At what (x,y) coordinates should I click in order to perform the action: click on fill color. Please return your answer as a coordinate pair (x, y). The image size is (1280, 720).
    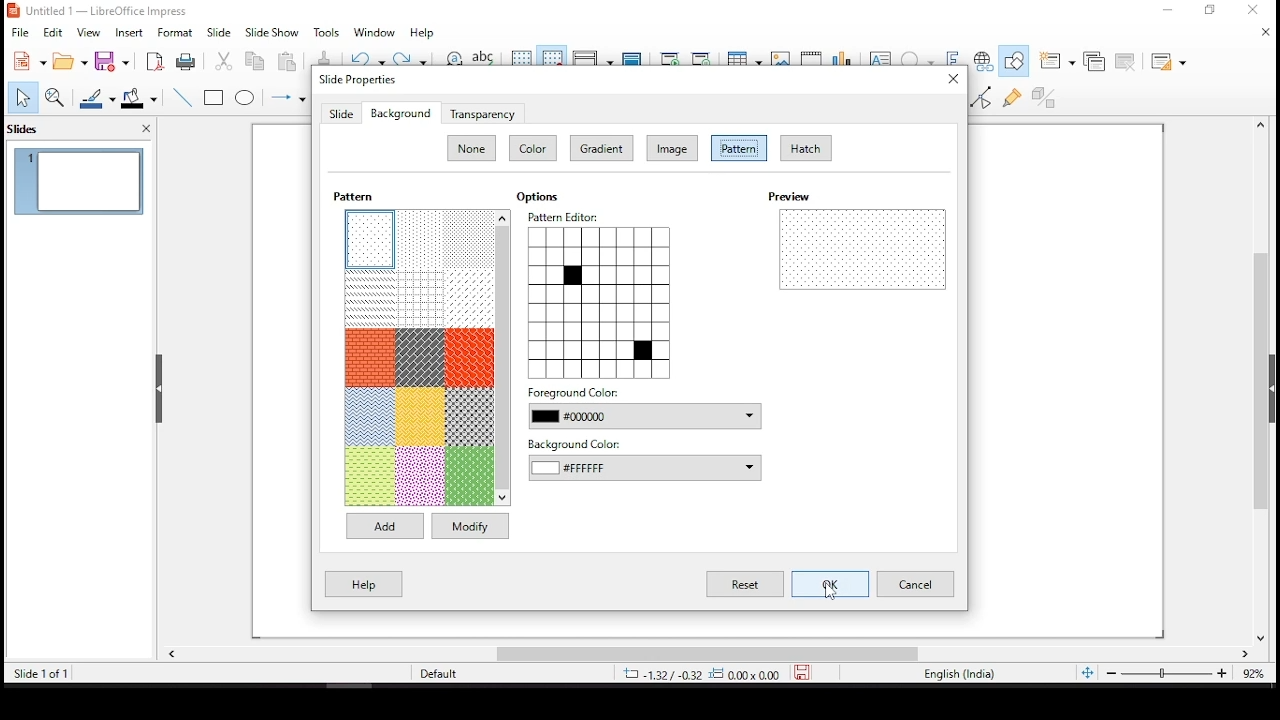
    Looking at the image, I should click on (139, 99).